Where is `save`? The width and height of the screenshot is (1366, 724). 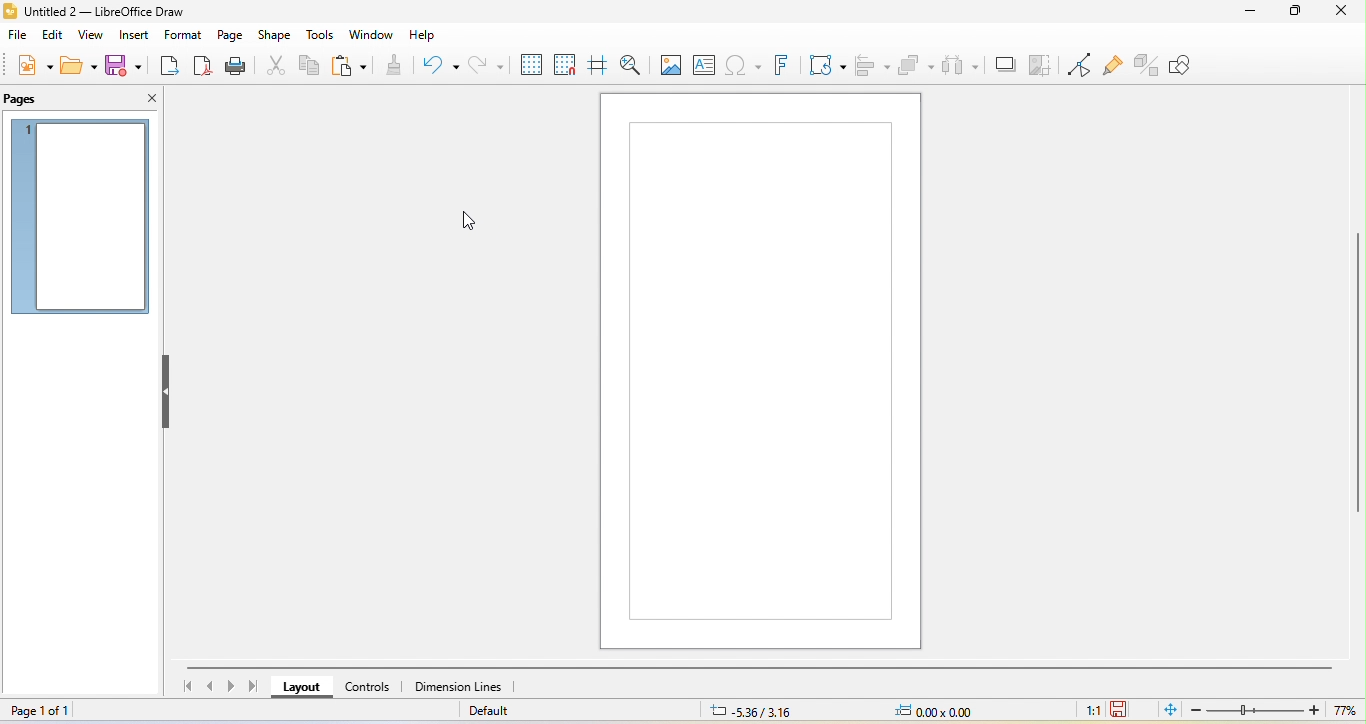
save is located at coordinates (127, 64).